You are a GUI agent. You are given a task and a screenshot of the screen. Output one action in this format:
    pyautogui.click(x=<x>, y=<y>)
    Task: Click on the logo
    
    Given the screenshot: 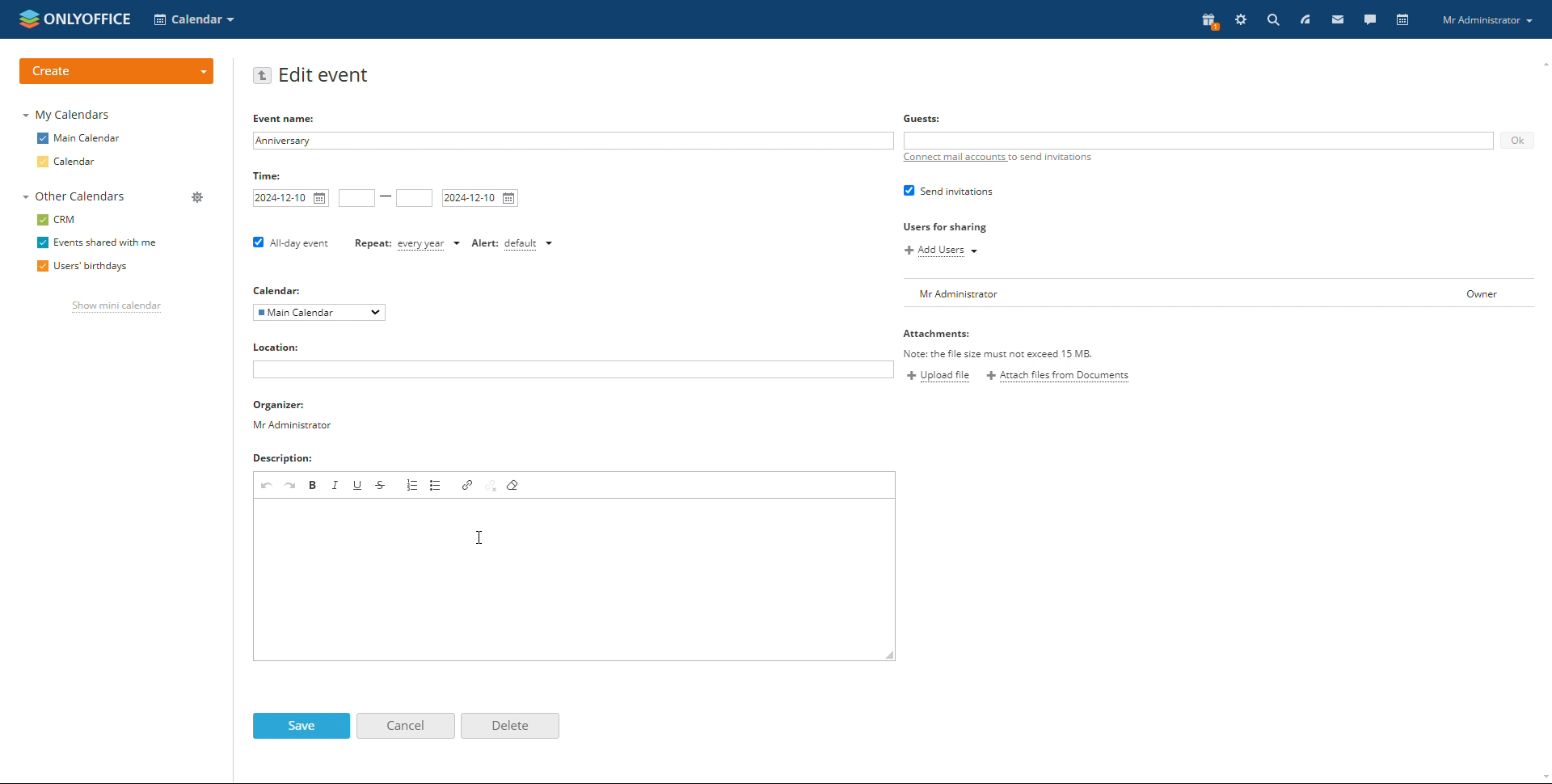 What is the action you would take?
    pyautogui.click(x=75, y=18)
    